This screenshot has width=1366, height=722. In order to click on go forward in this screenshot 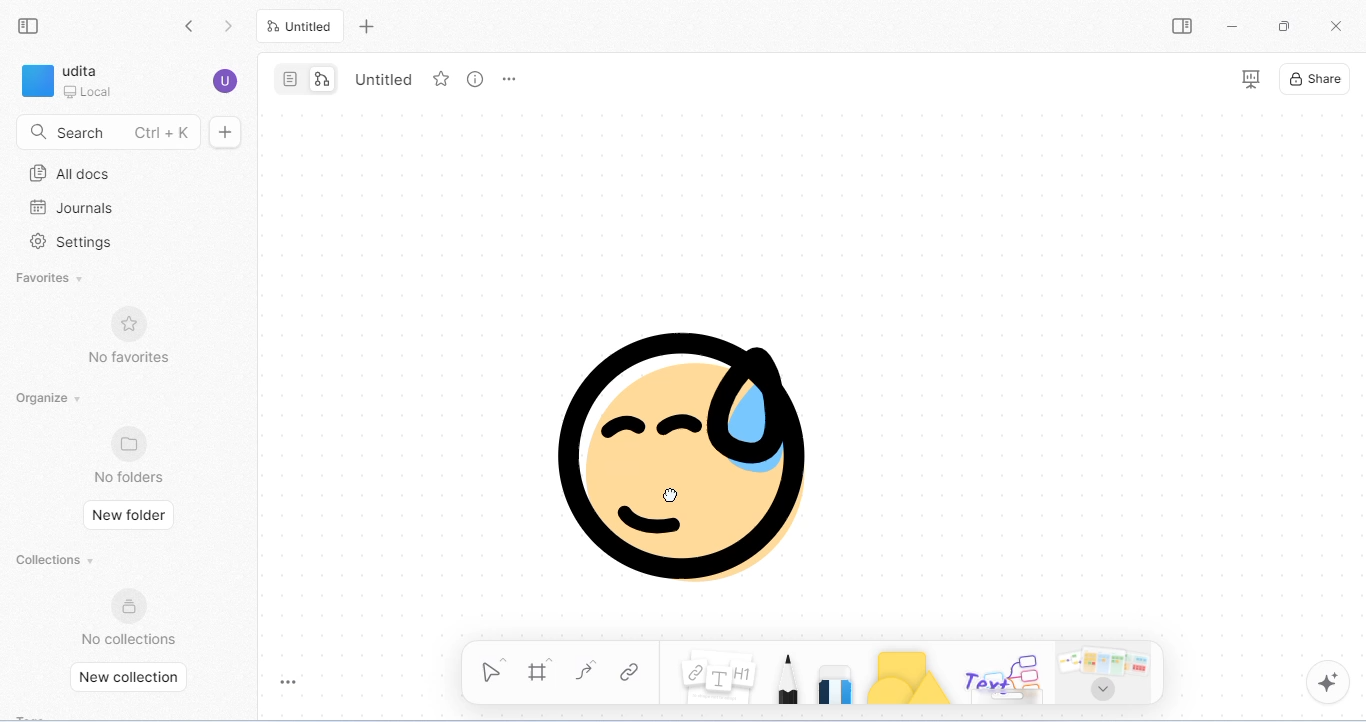, I will do `click(228, 27)`.